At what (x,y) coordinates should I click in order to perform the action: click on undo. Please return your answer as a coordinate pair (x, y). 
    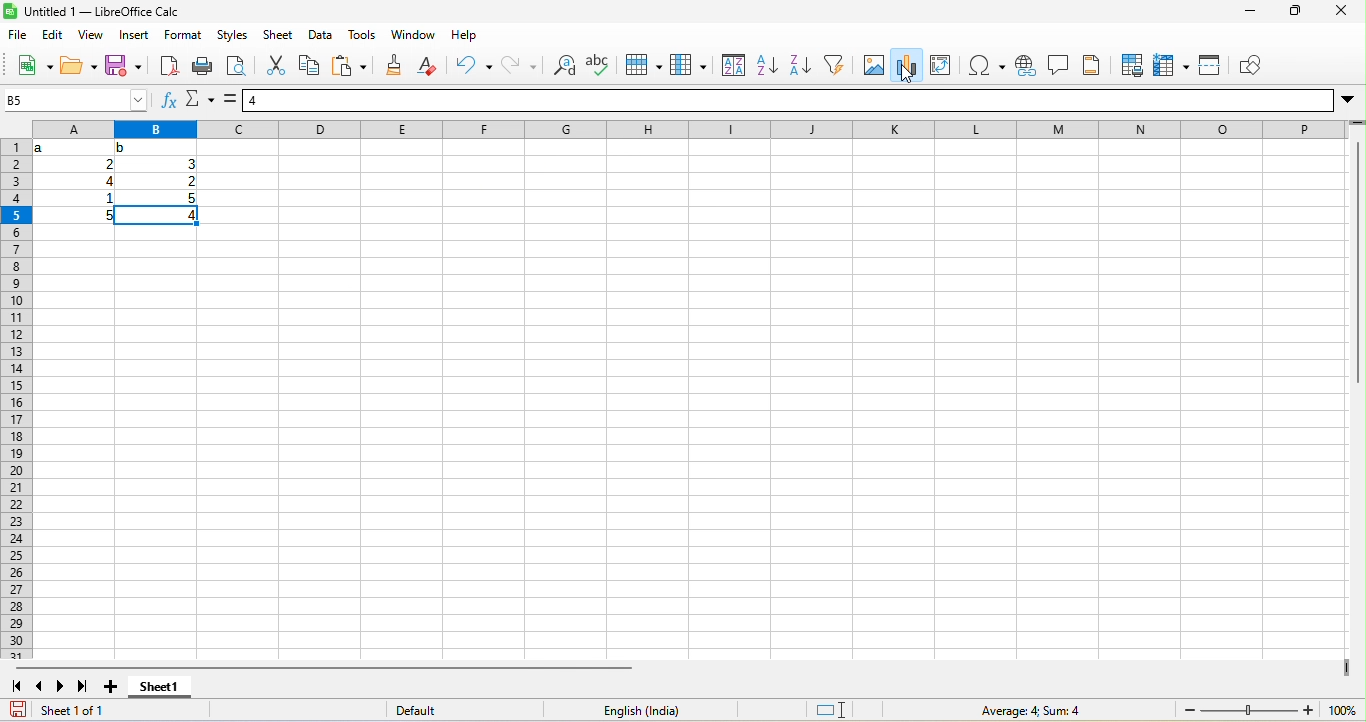
    Looking at the image, I should click on (474, 64).